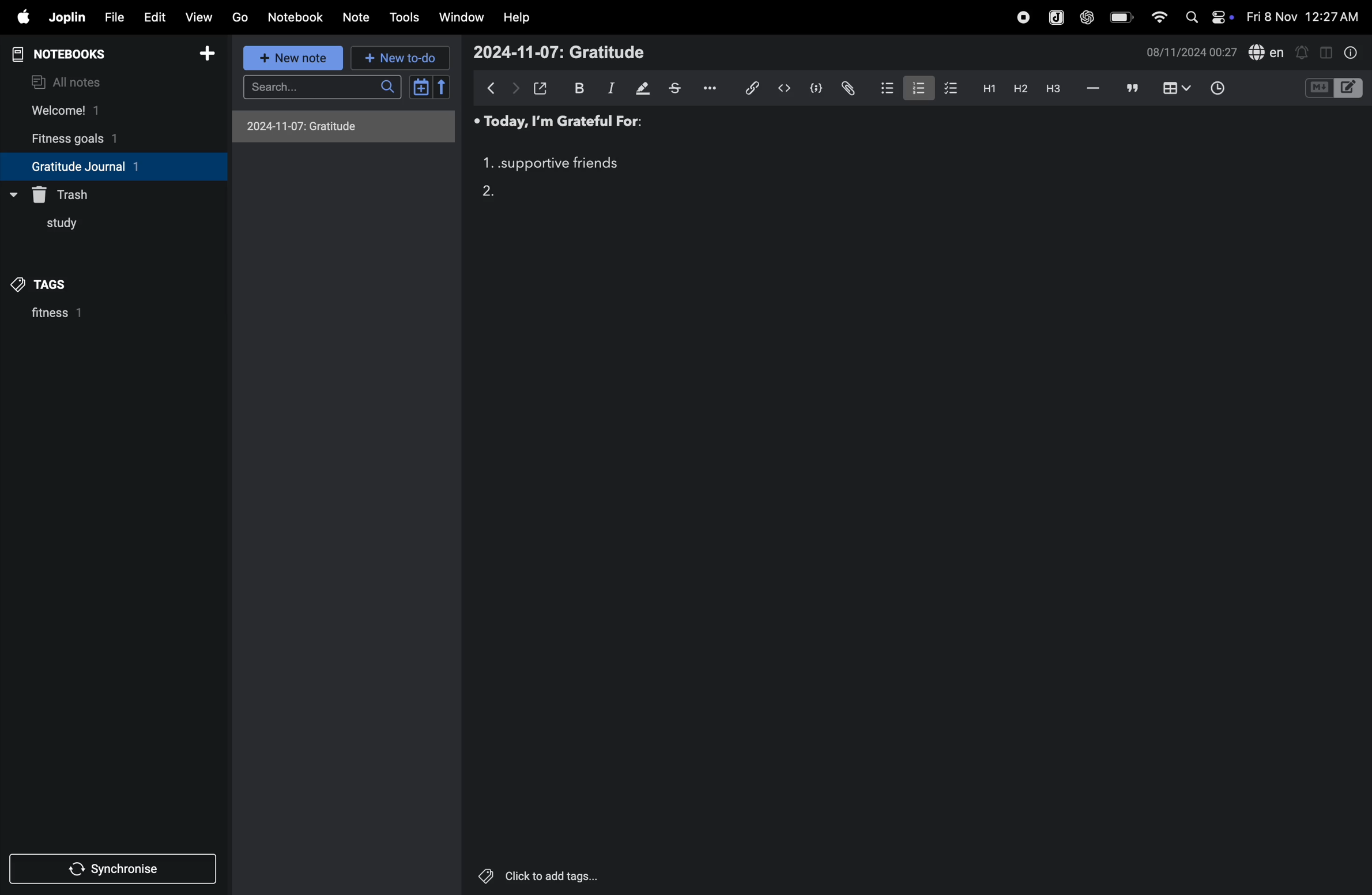 The width and height of the screenshot is (1372, 895). Describe the element at coordinates (68, 193) in the screenshot. I see `trash` at that location.